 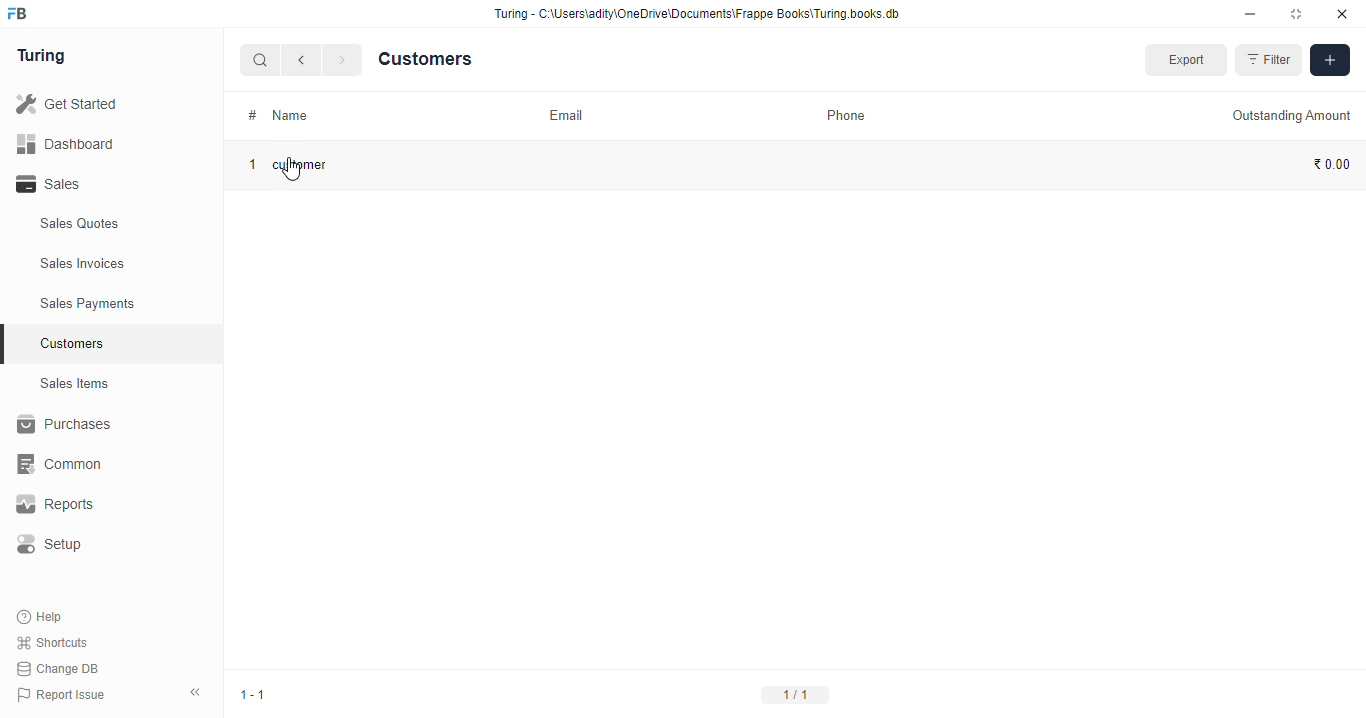 I want to click on minimise, so click(x=1251, y=14).